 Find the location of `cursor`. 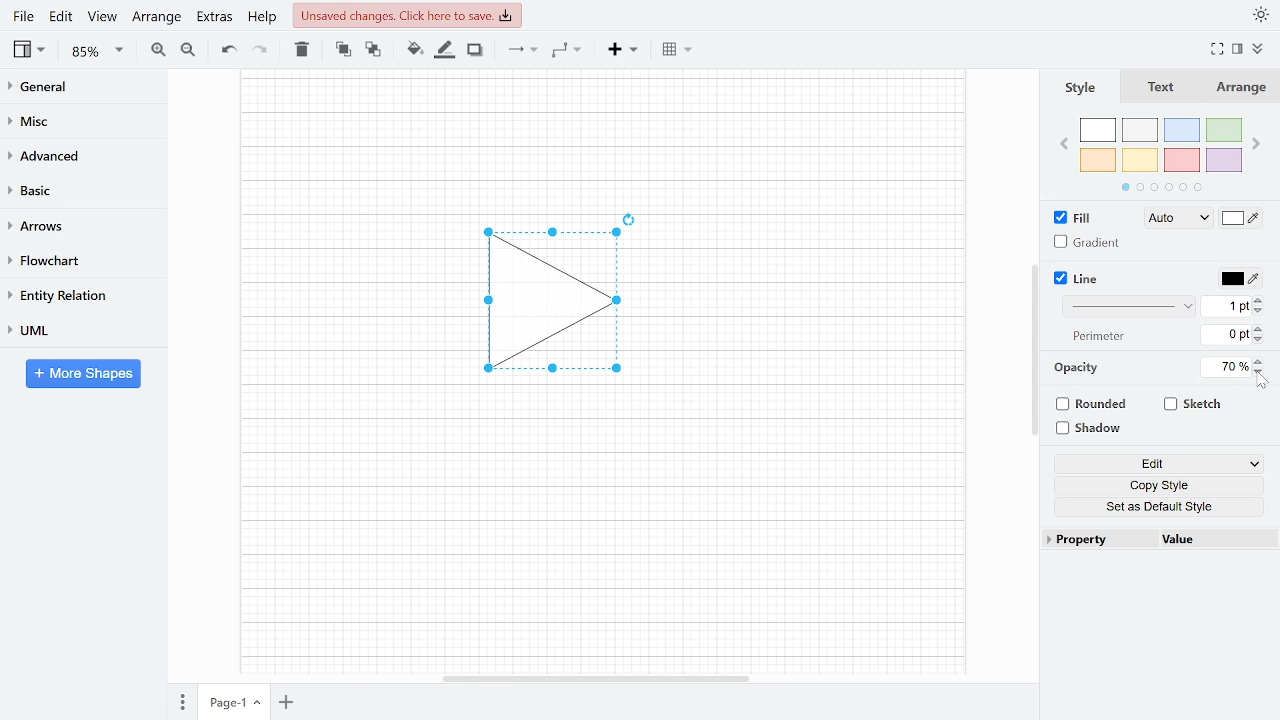

cursor is located at coordinates (1264, 383).